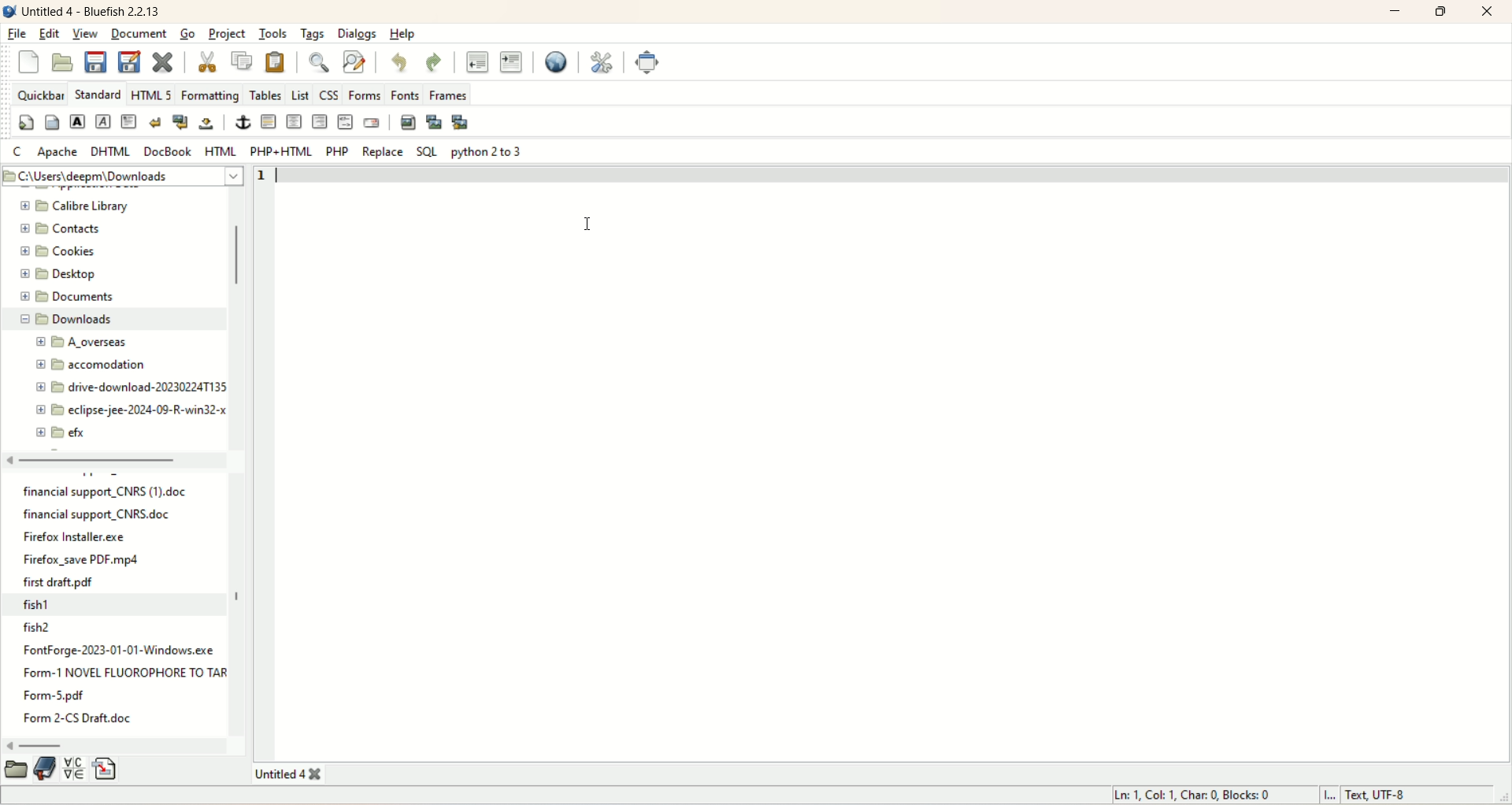  What do you see at coordinates (80, 206) in the screenshot?
I see `calibre library` at bounding box center [80, 206].